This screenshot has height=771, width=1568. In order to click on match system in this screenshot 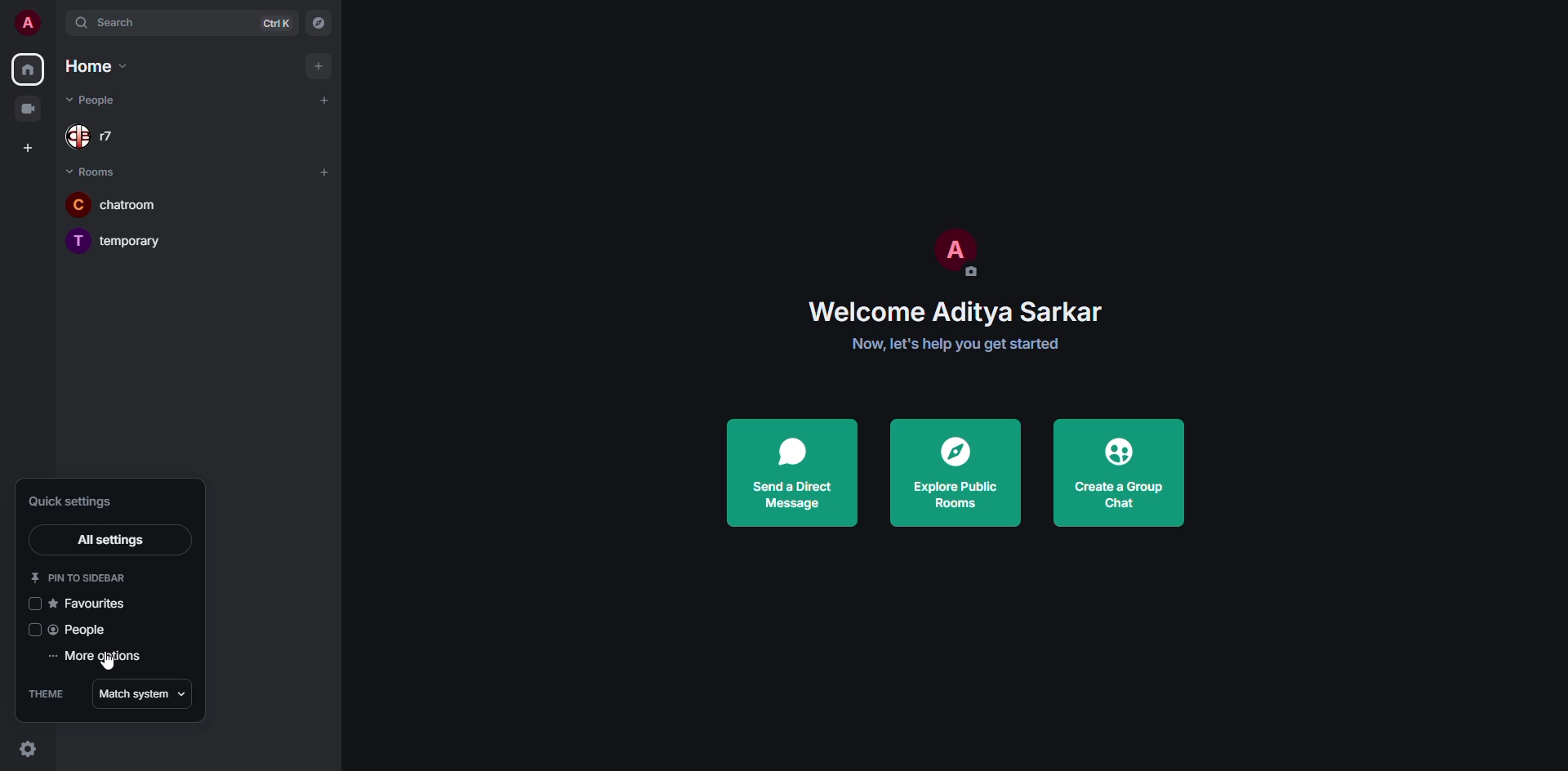, I will do `click(143, 693)`.